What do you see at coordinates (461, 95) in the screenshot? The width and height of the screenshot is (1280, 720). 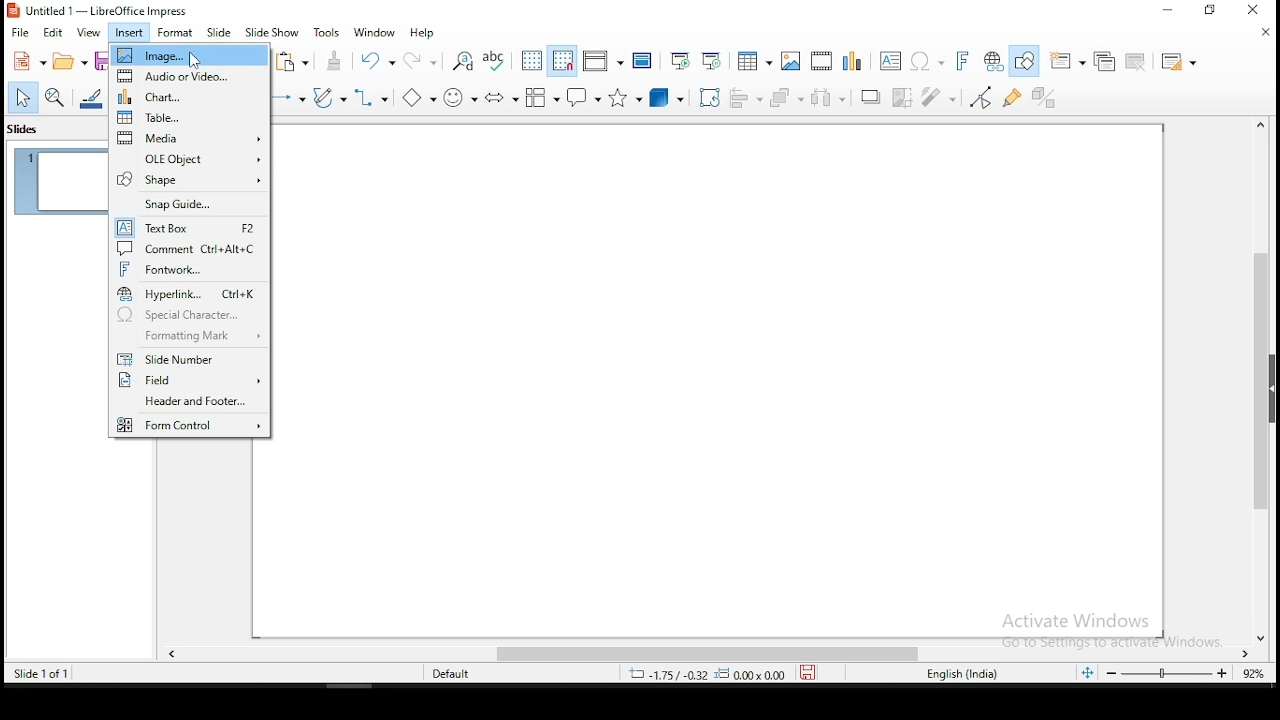 I see `symbol shapes` at bounding box center [461, 95].